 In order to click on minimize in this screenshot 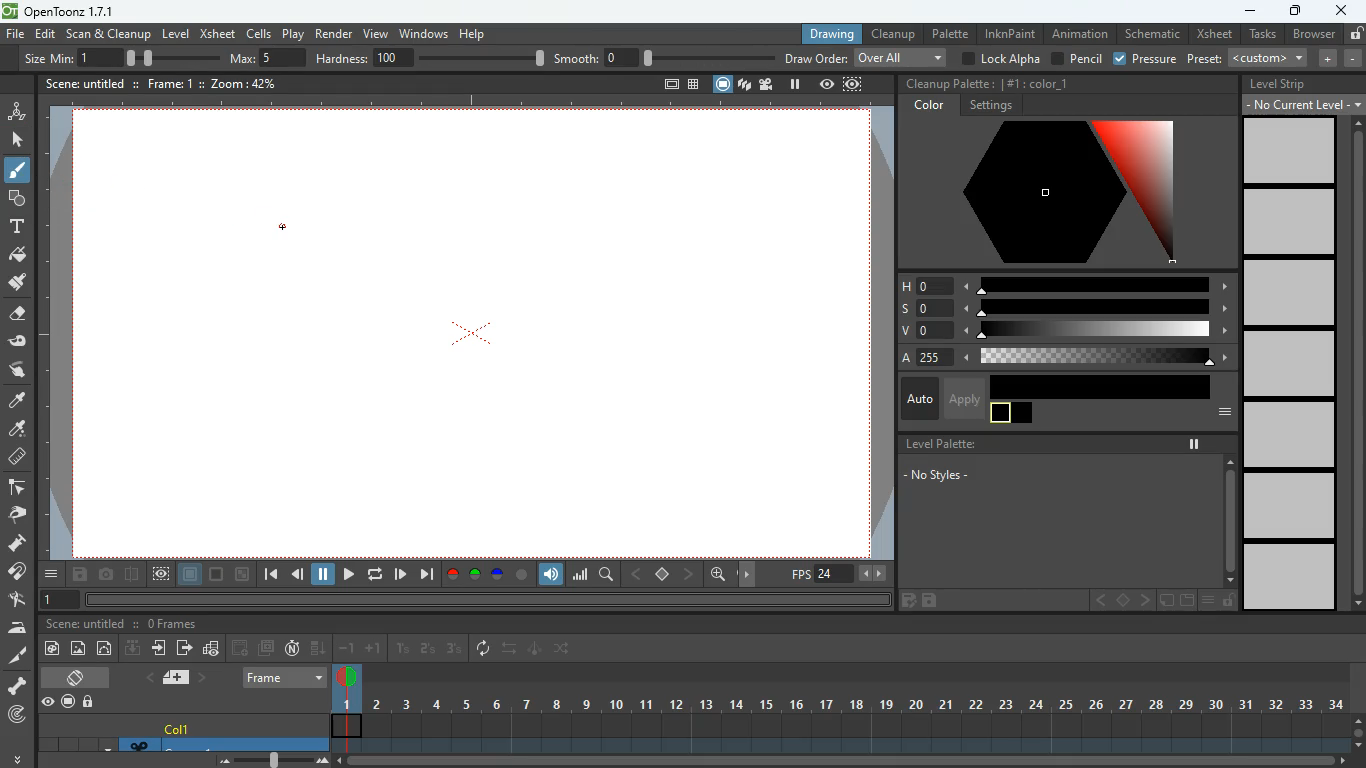, I will do `click(1248, 12)`.